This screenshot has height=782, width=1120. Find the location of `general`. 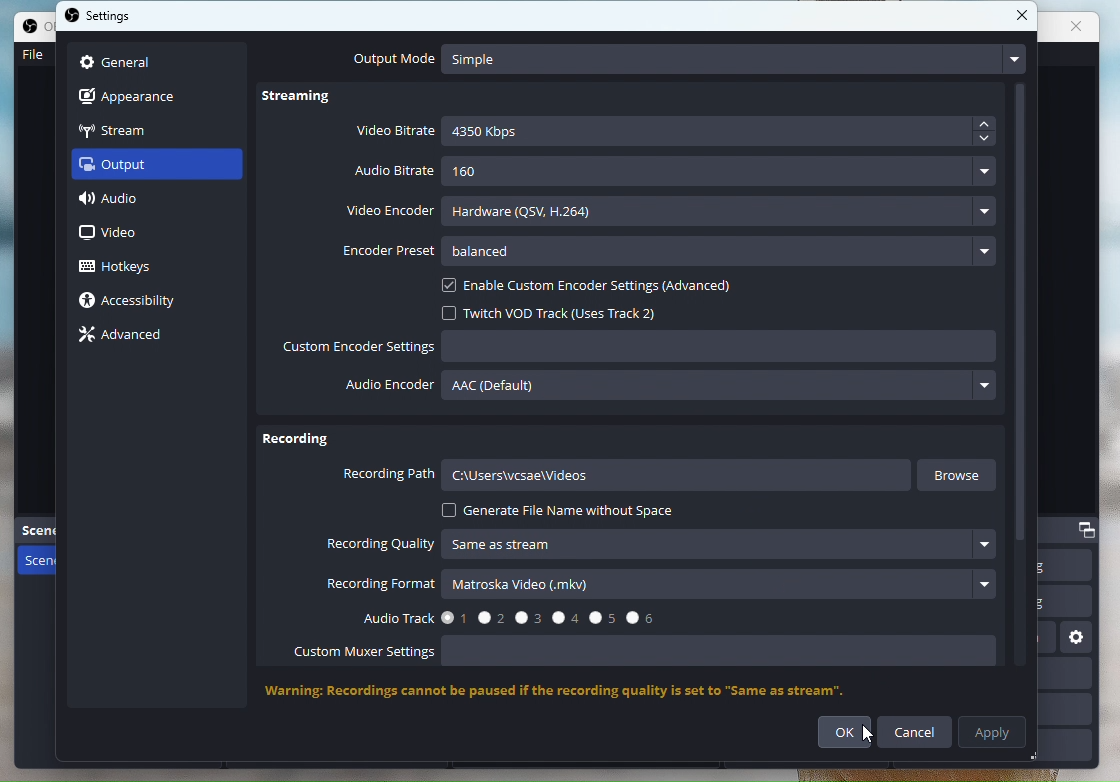

general is located at coordinates (118, 60).